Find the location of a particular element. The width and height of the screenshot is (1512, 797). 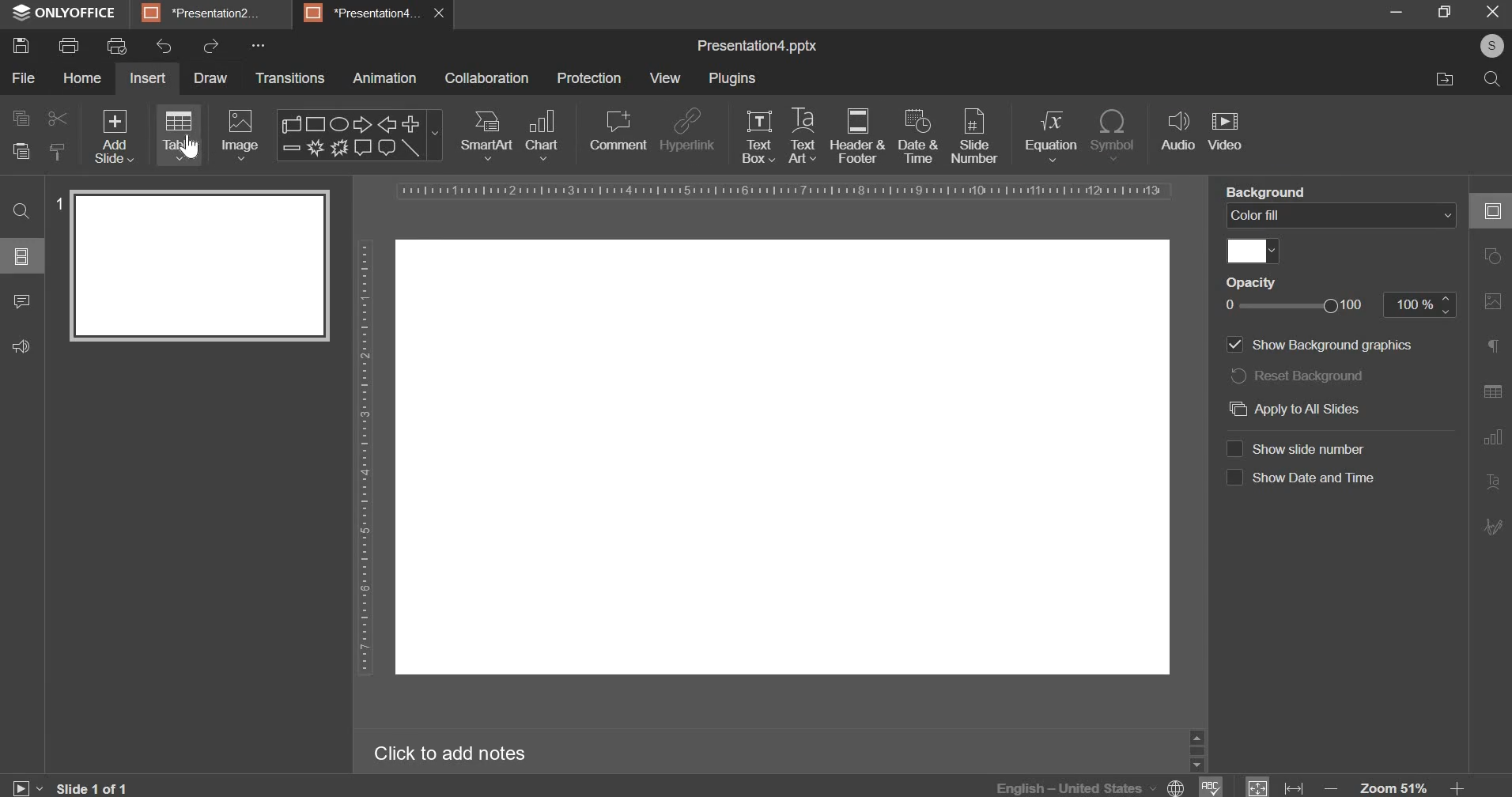

draw is located at coordinates (210, 78).